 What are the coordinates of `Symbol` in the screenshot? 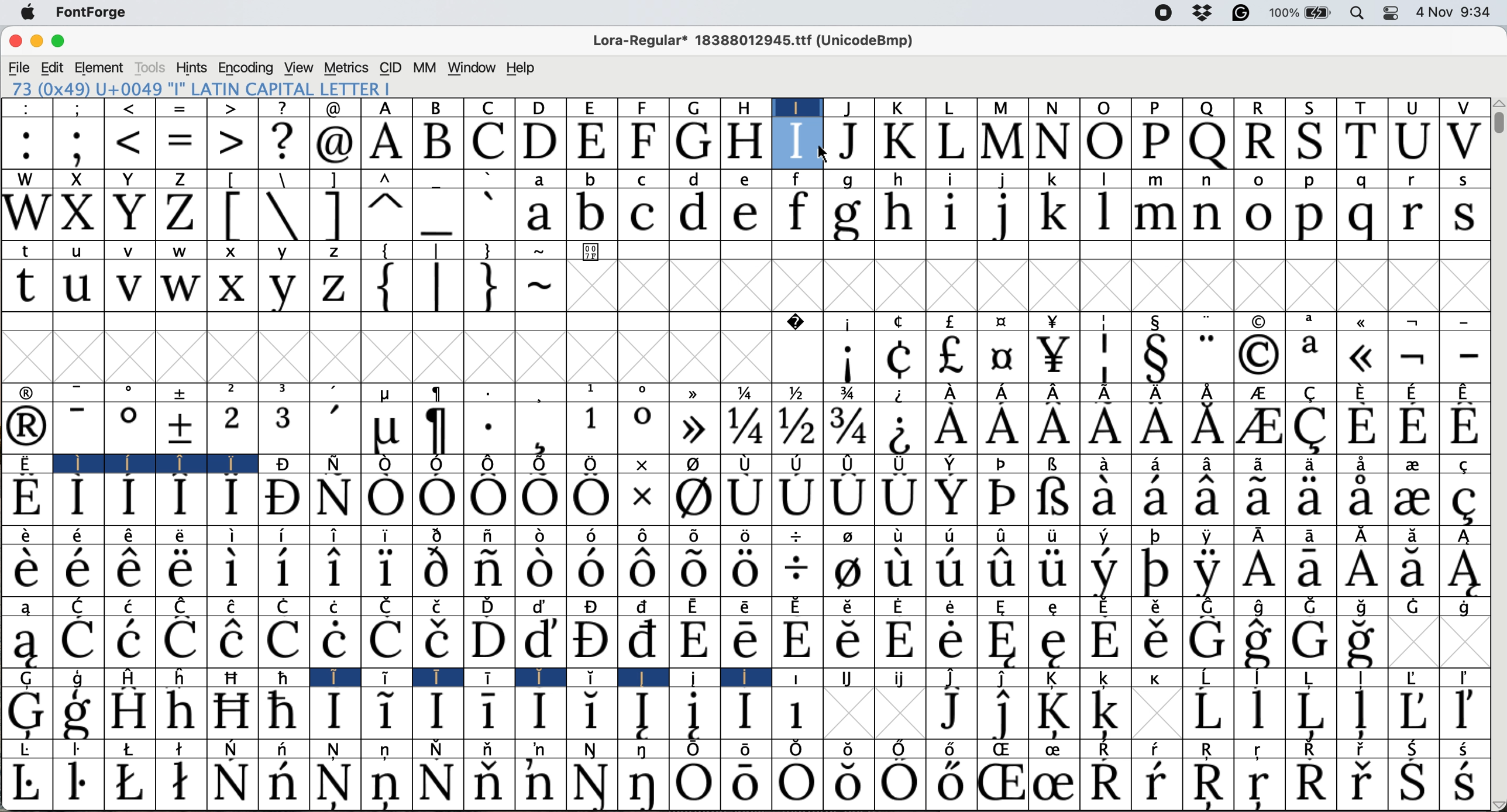 It's located at (693, 643).